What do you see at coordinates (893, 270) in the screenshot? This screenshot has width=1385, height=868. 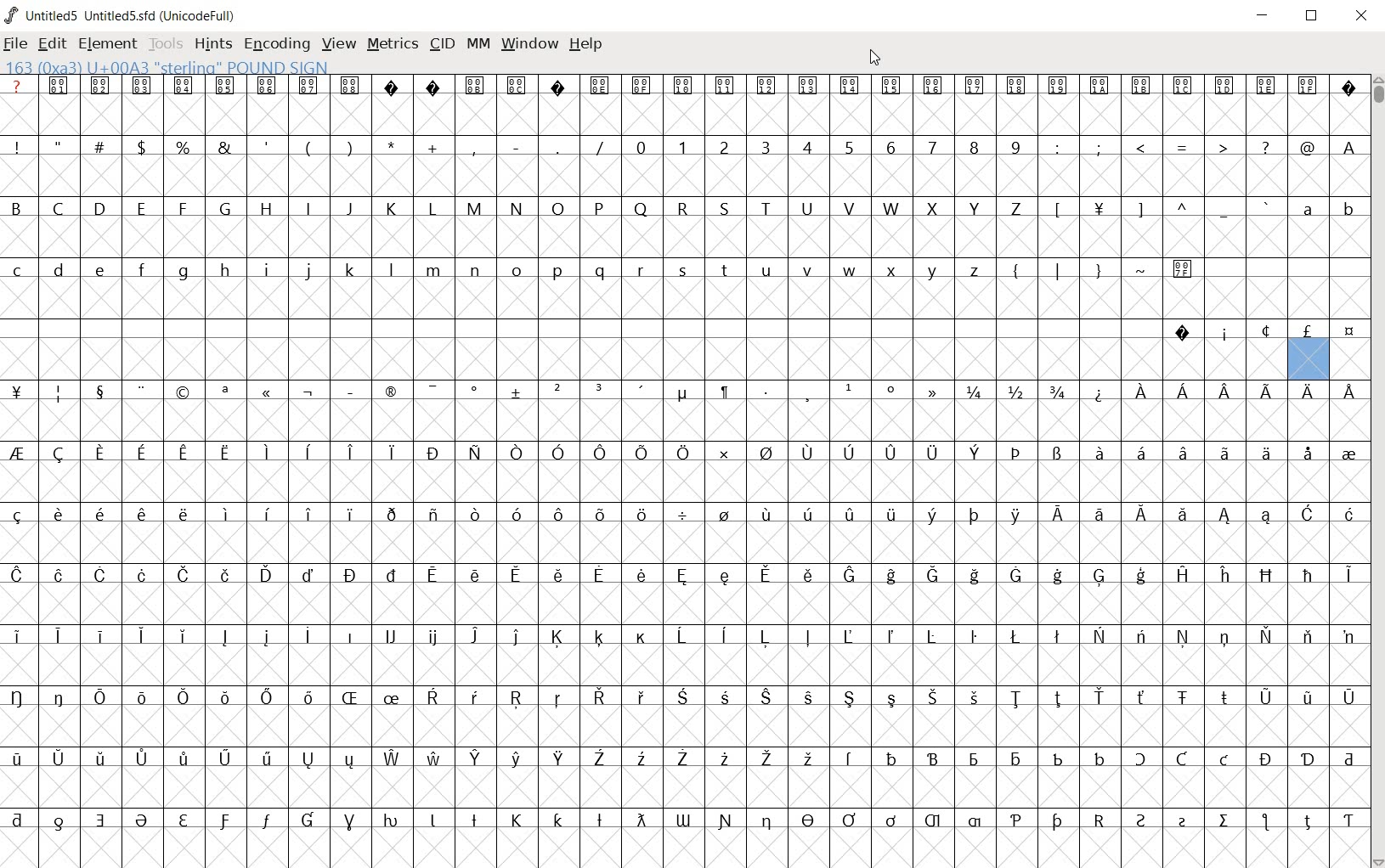 I see `x` at bounding box center [893, 270].